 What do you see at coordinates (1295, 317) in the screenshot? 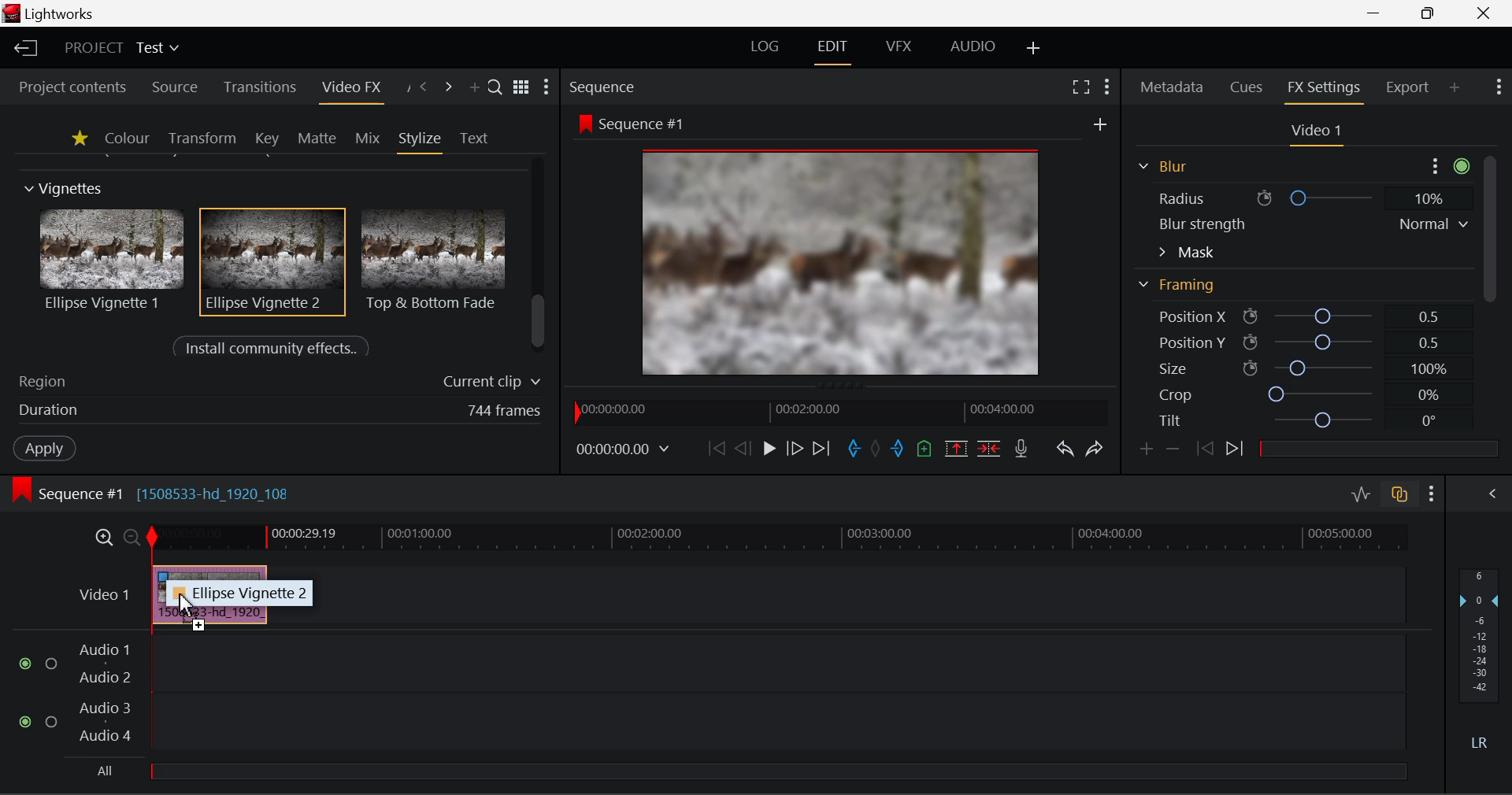
I see `Position X` at bounding box center [1295, 317].